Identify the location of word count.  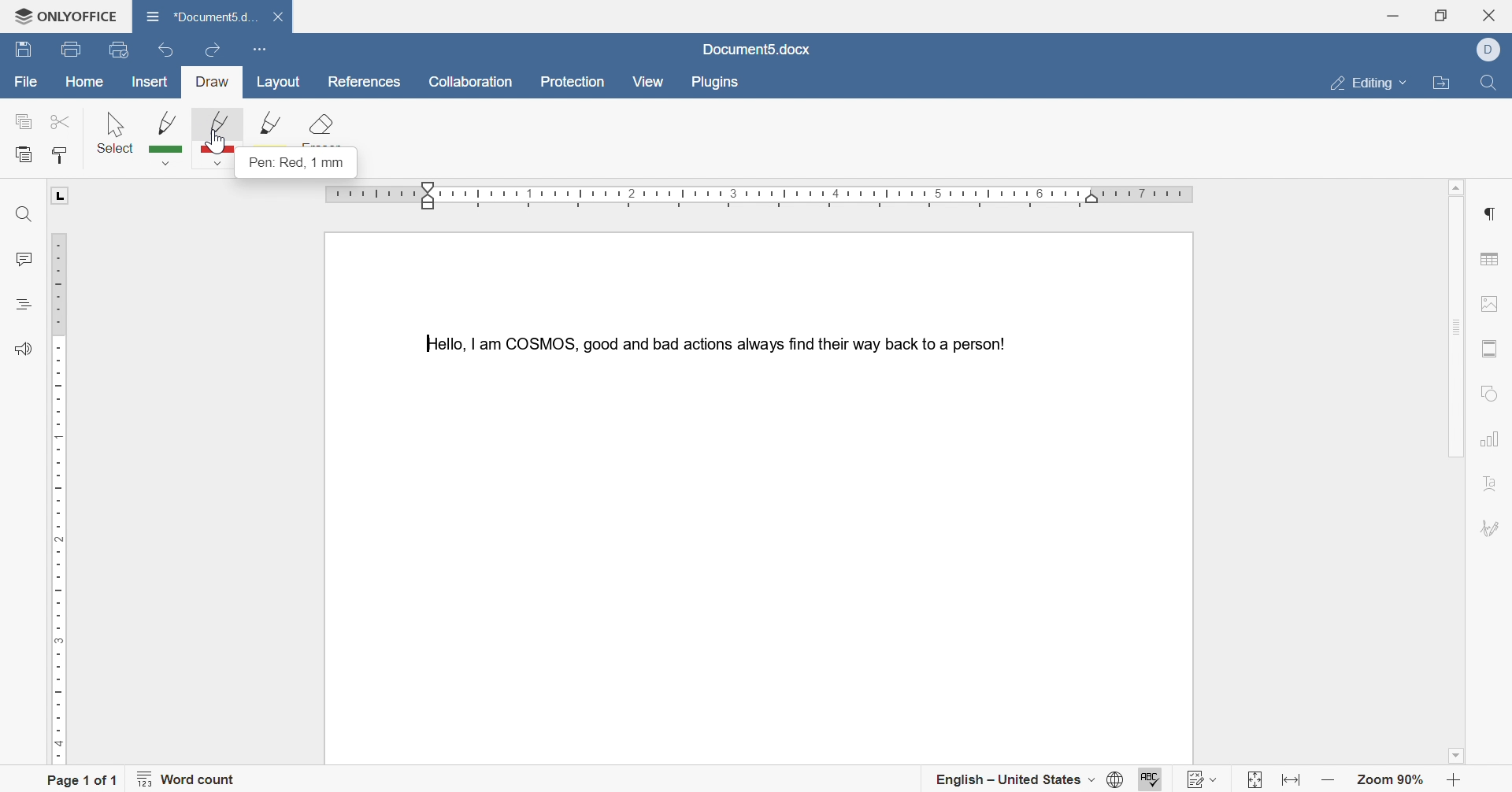
(192, 782).